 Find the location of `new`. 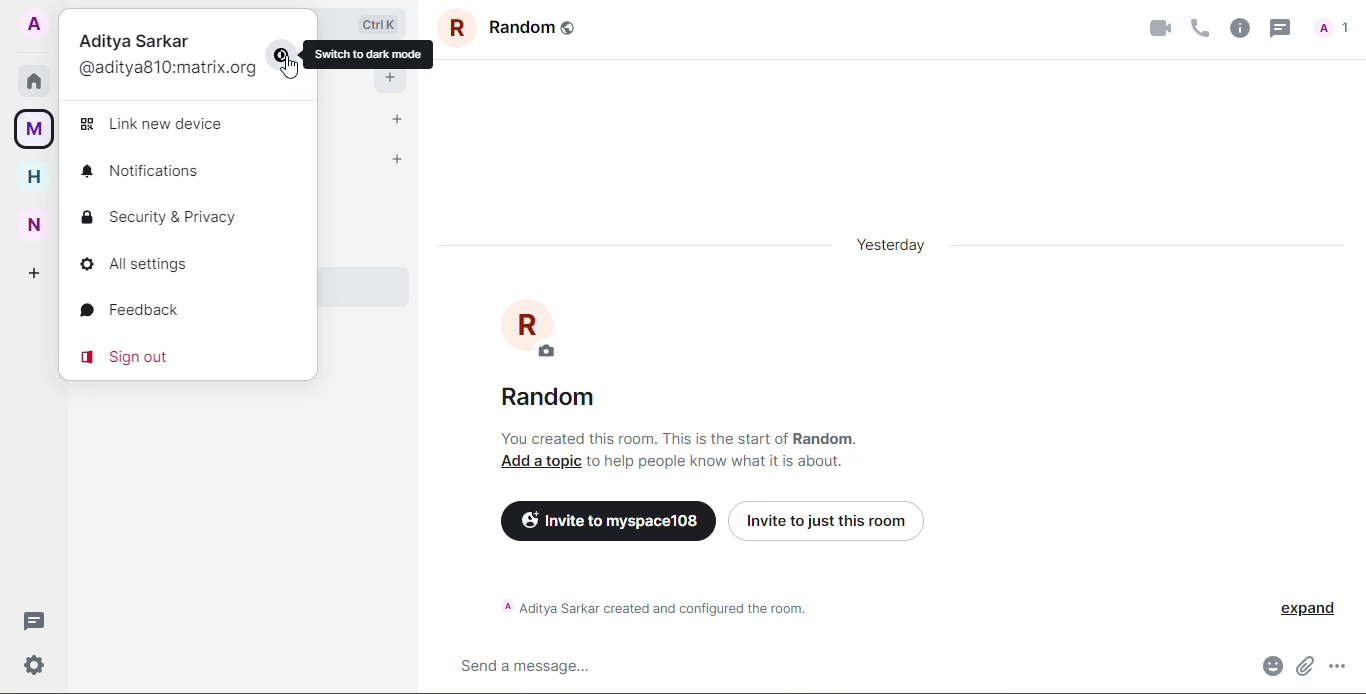

new is located at coordinates (36, 223).